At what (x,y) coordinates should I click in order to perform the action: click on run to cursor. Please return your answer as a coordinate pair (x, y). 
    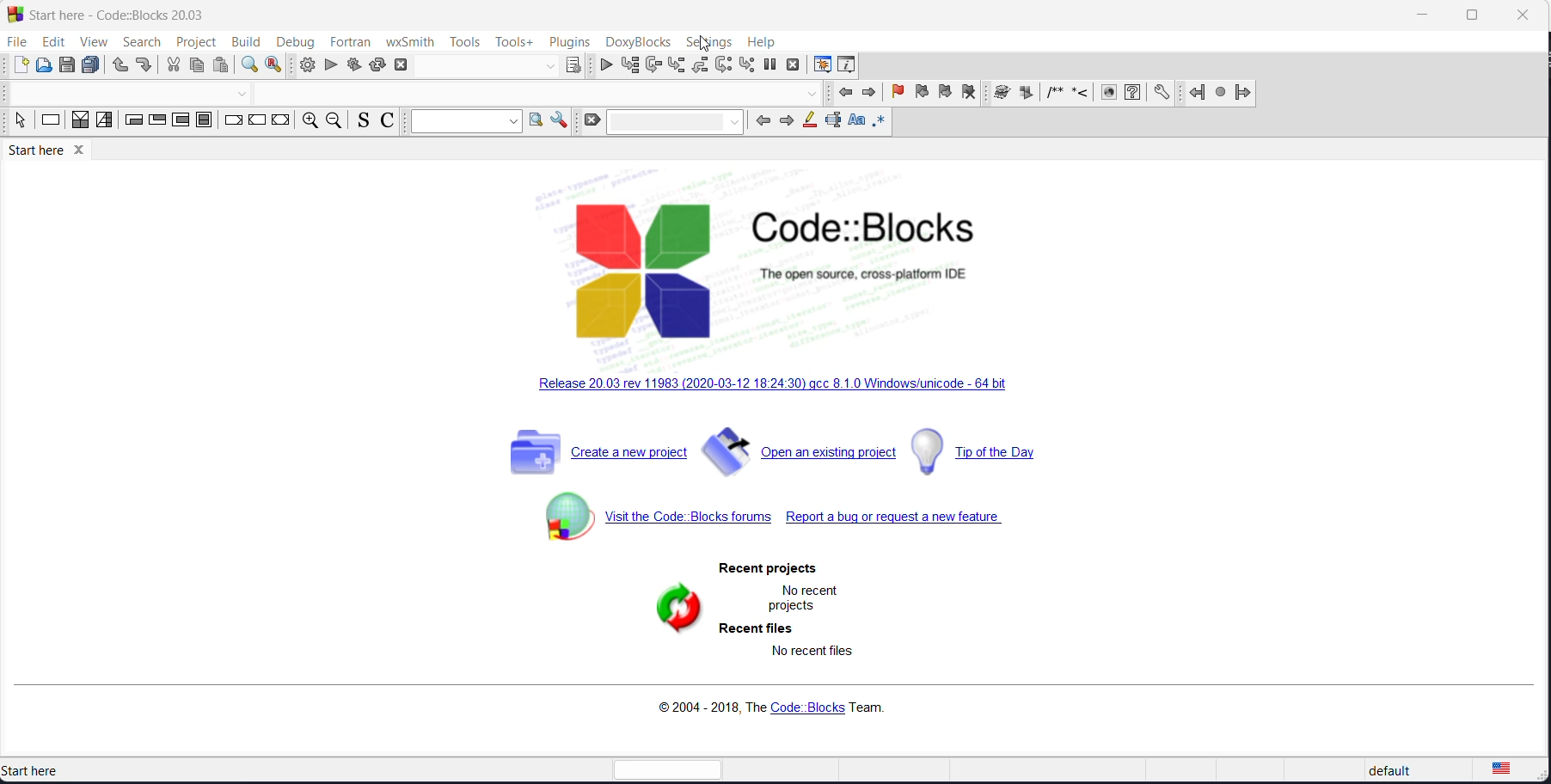
    Looking at the image, I should click on (633, 65).